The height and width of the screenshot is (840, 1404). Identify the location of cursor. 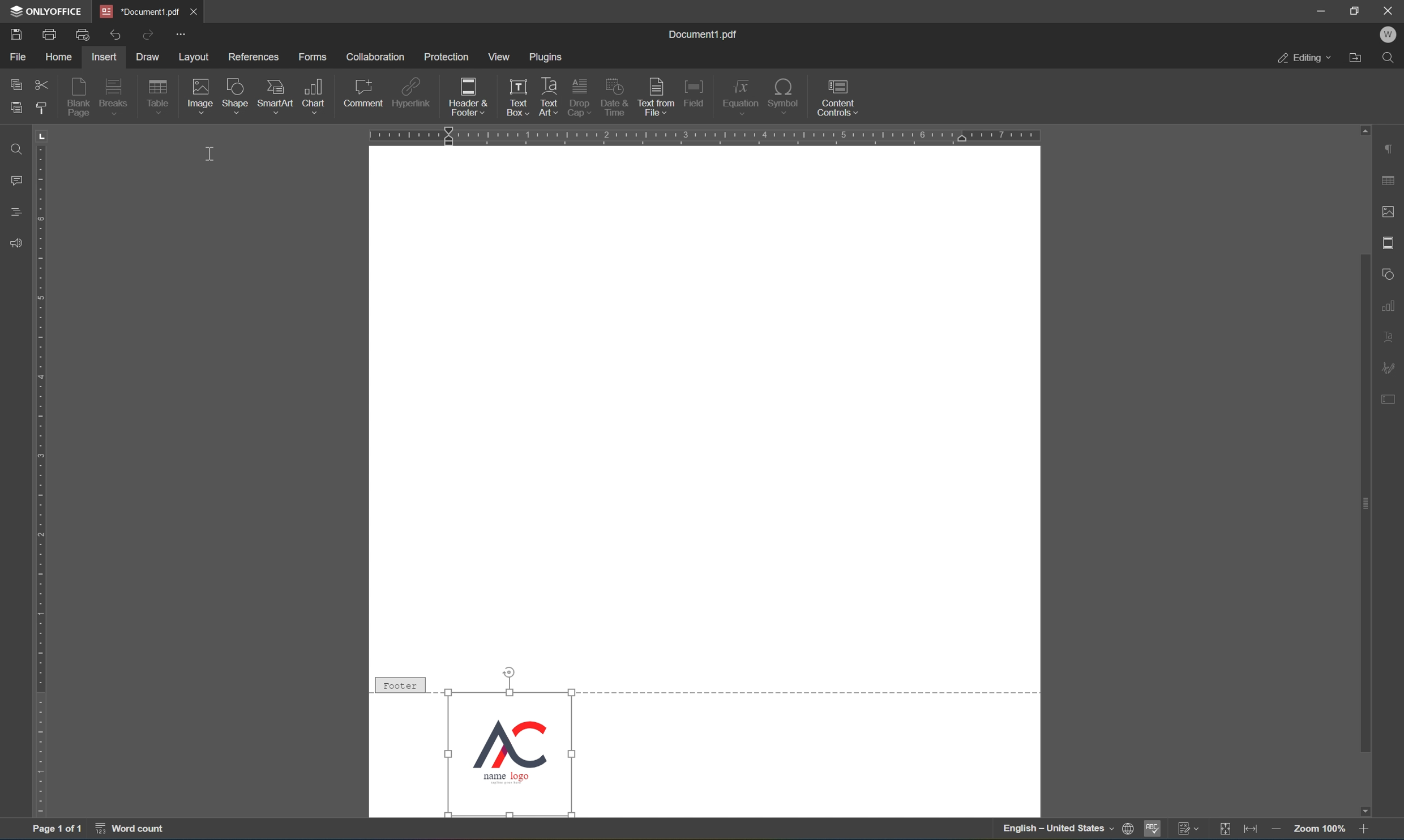
(211, 153).